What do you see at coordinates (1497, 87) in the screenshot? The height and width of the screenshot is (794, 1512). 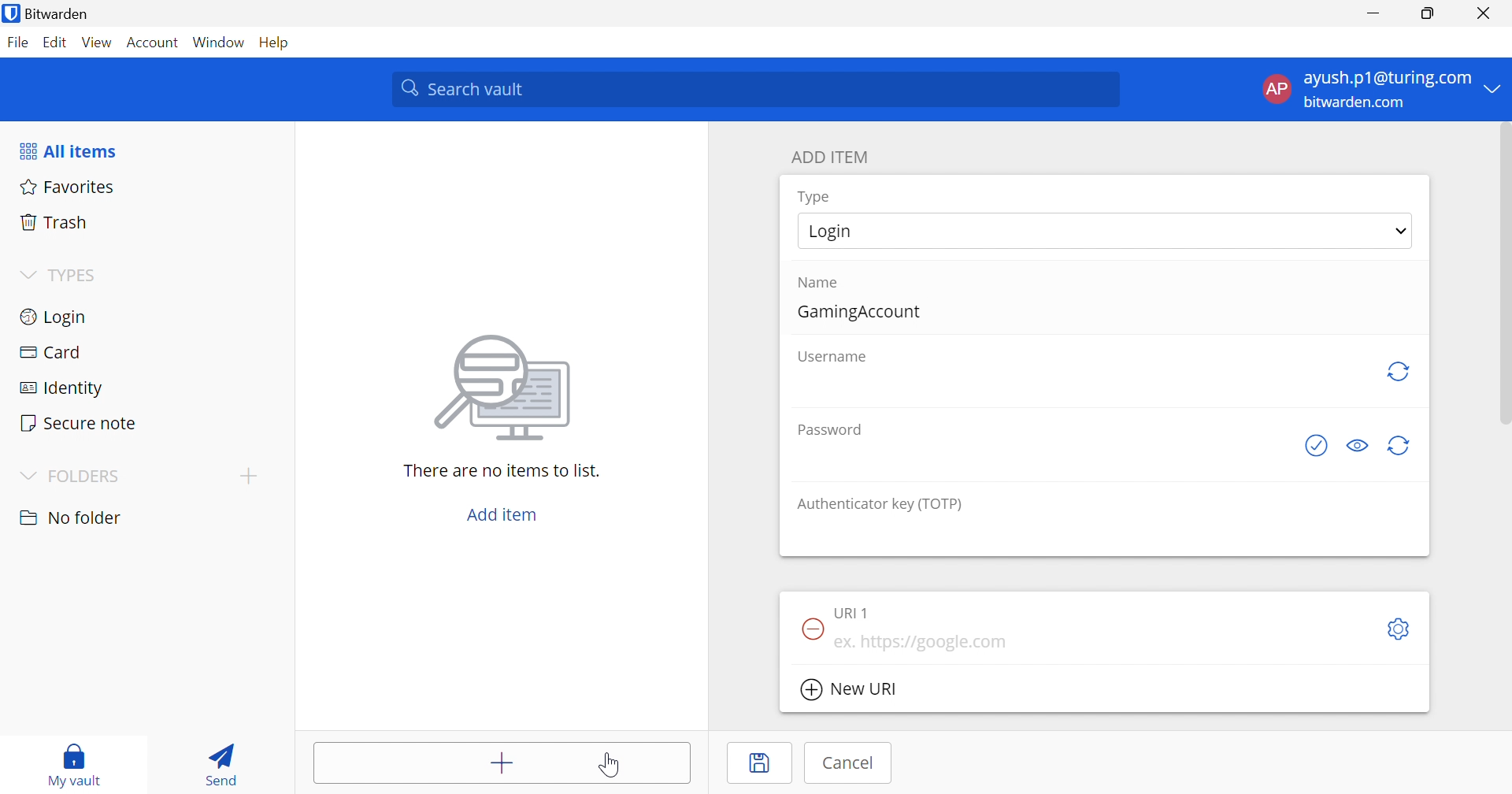 I see `Drop Down` at bounding box center [1497, 87].